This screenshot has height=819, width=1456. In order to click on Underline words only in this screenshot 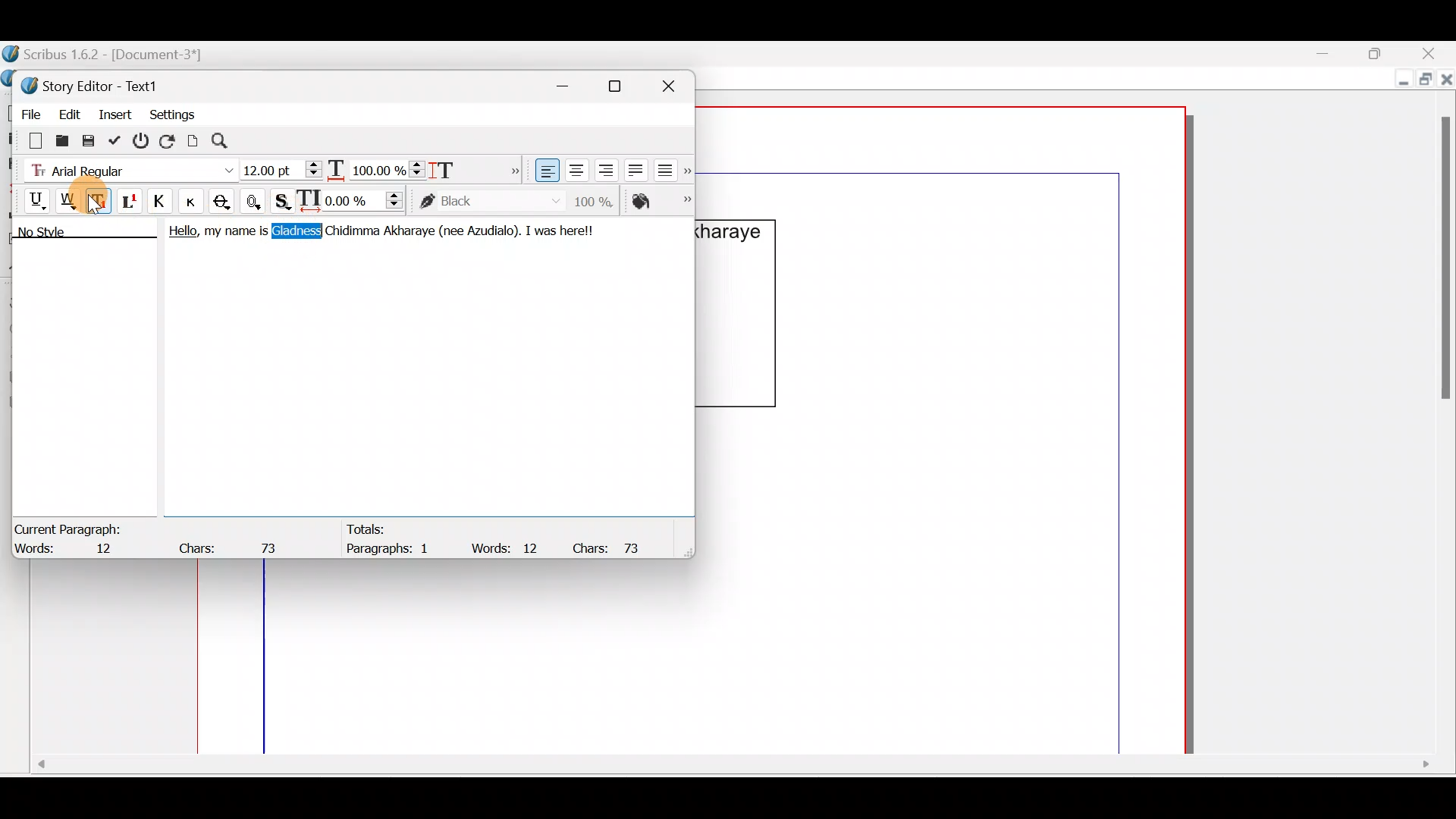, I will do `click(70, 200)`.